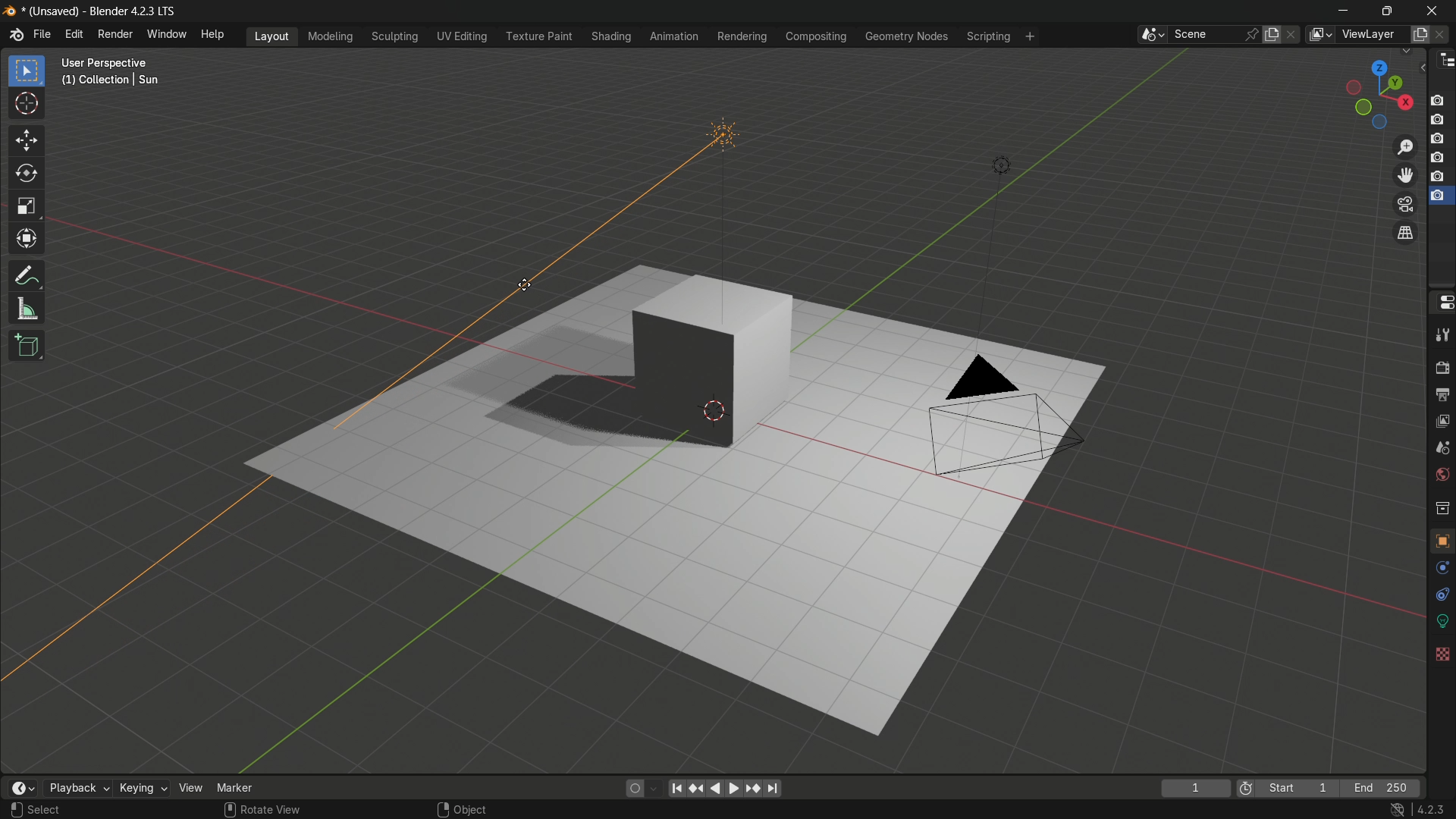  What do you see at coordinates (1438, 138) in the screenshot?
I see `layer 3` at bounding box center [1438, 138].